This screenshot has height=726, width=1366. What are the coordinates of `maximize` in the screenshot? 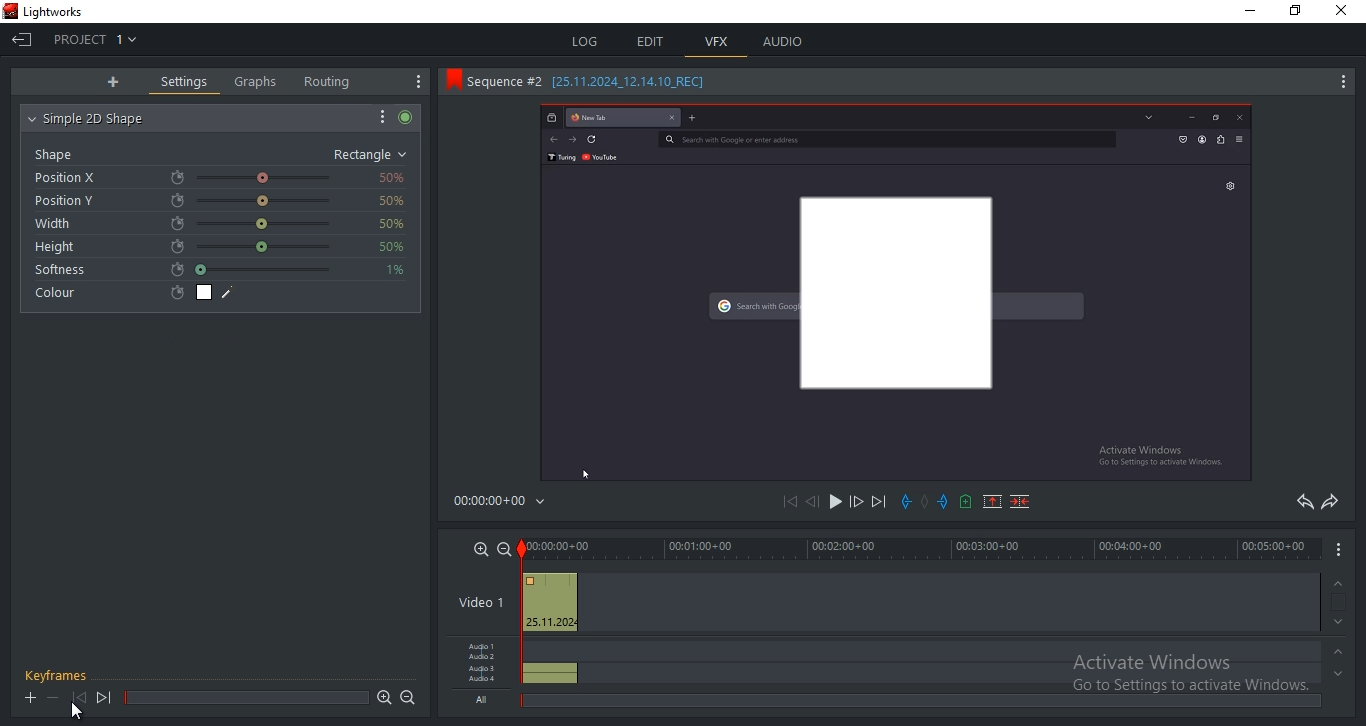 It's located at (1295, 13).